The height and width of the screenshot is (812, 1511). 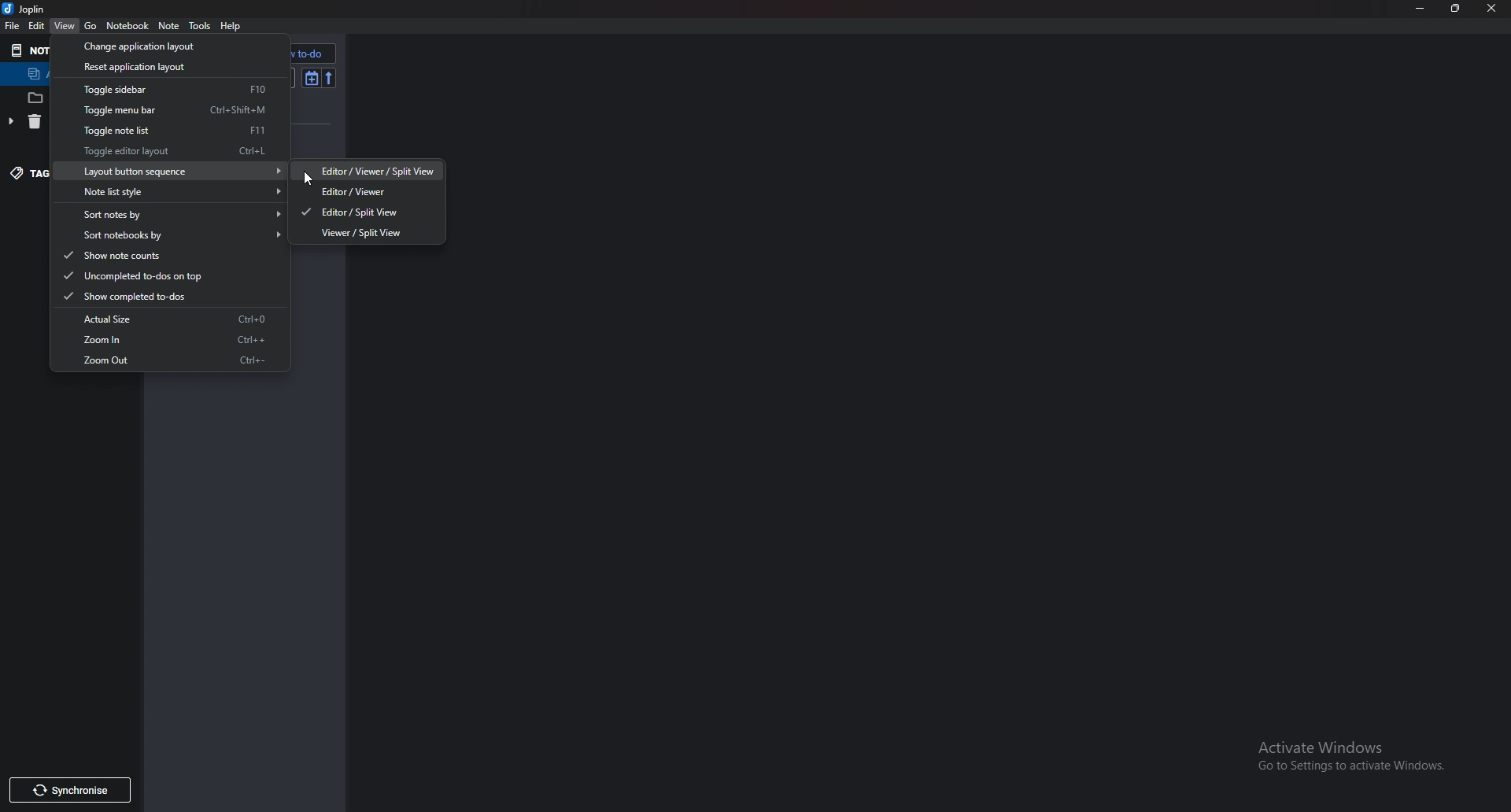 I want to click on Toggle sidebar, so click(x=165, y=90).